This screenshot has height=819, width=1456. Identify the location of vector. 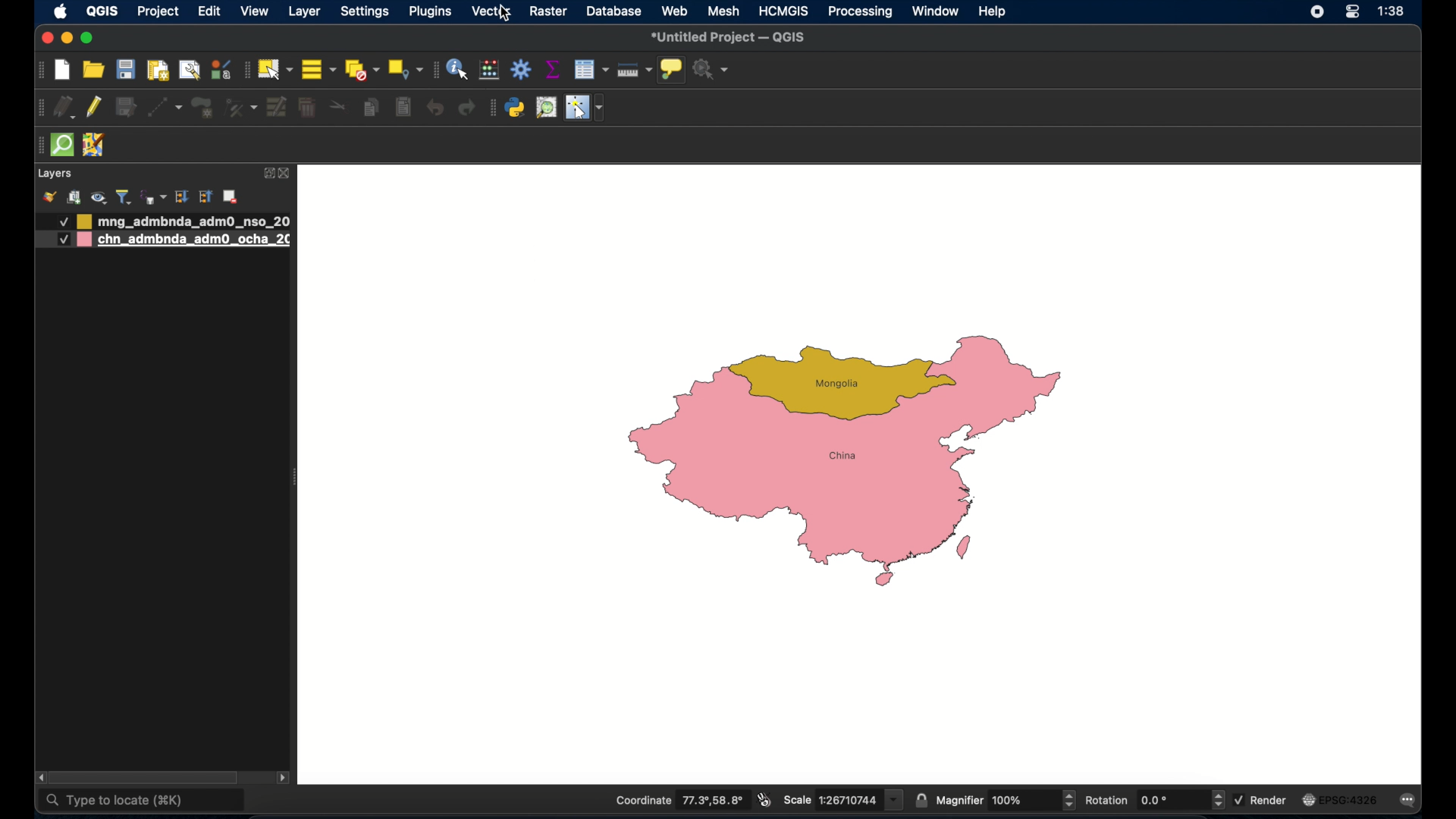
(494, 12).